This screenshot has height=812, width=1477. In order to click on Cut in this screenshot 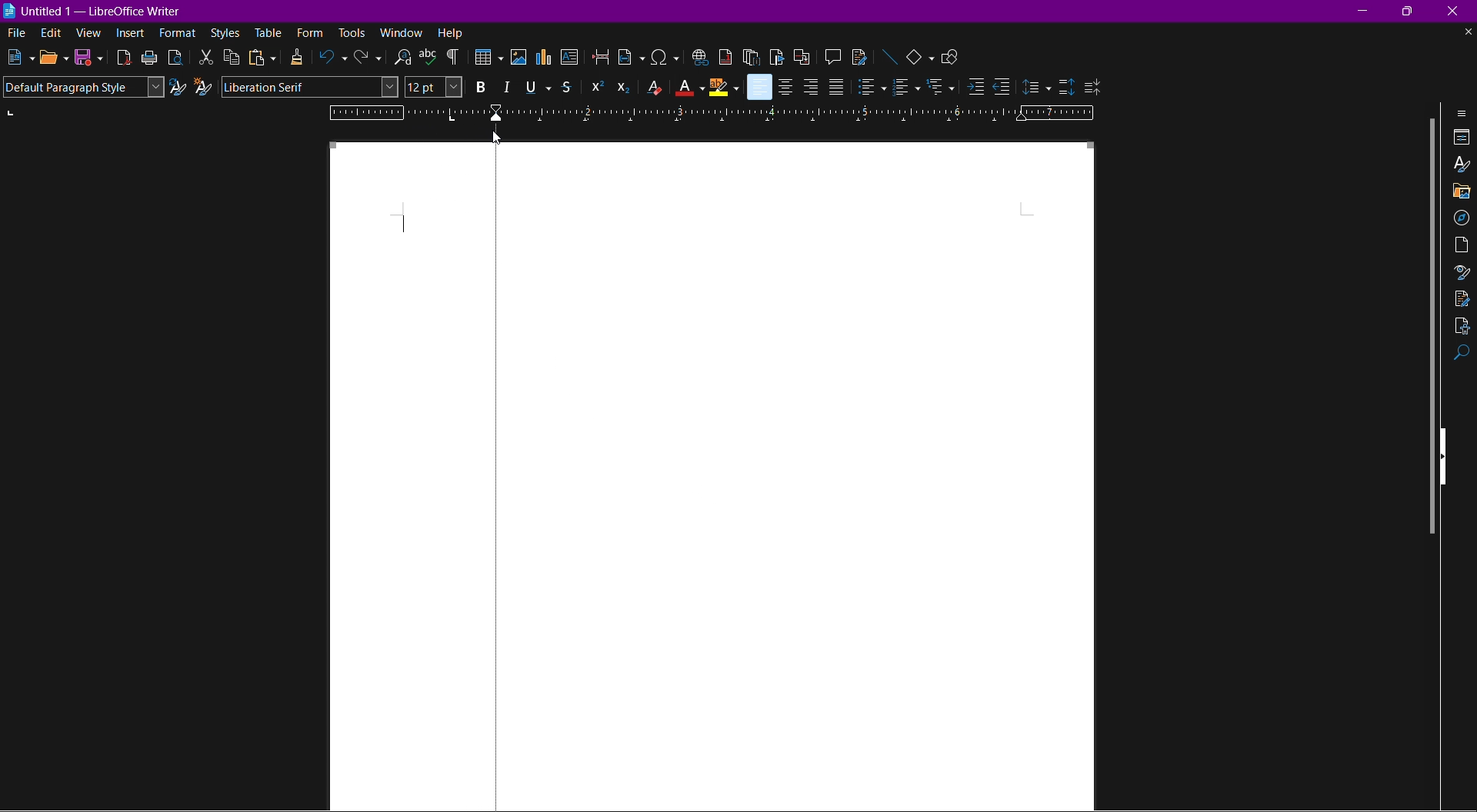, I will do `click(205, 57)`.